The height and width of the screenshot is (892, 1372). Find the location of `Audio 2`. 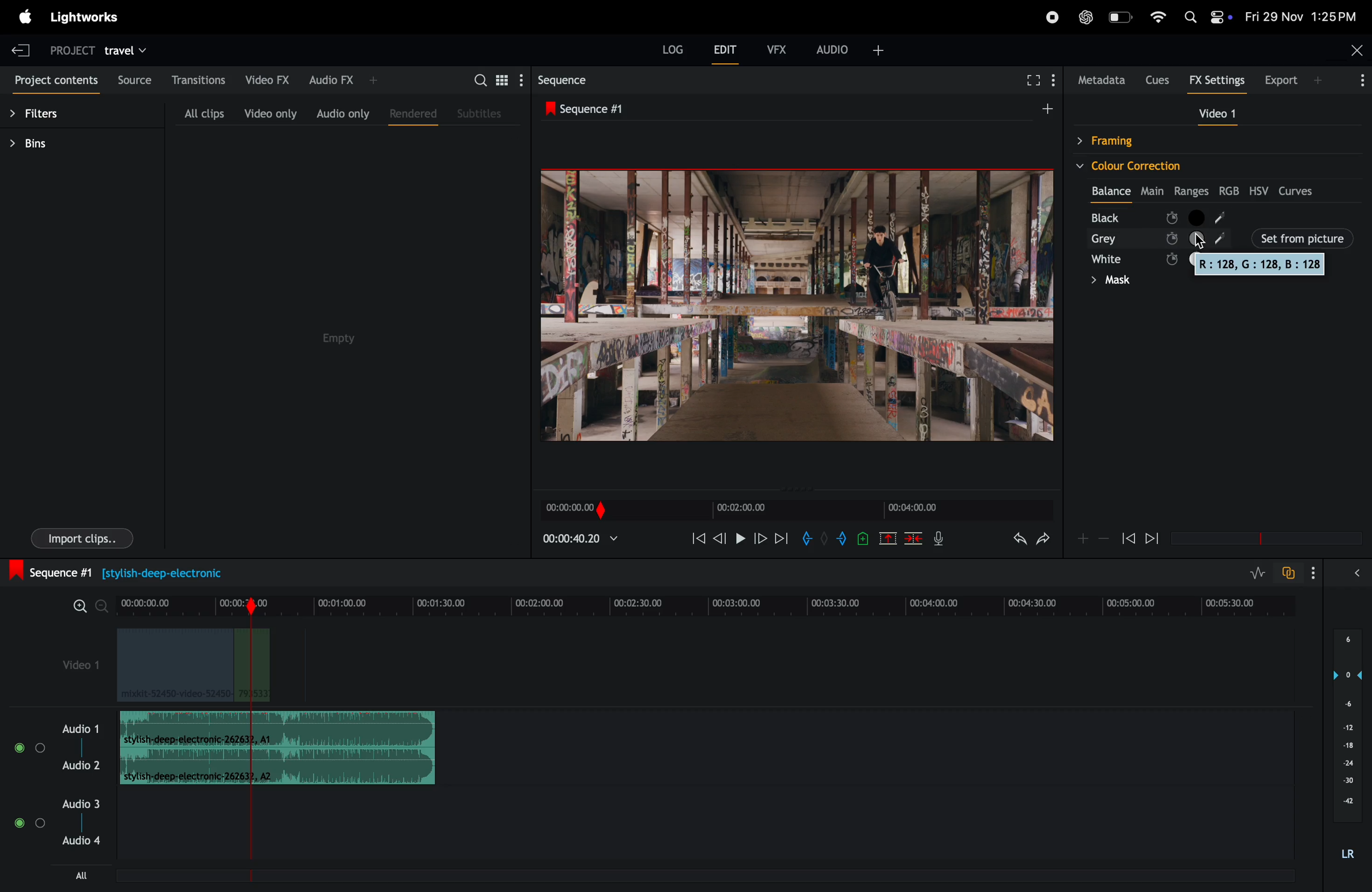

Audio 2 is located at coordinates (81, 765).